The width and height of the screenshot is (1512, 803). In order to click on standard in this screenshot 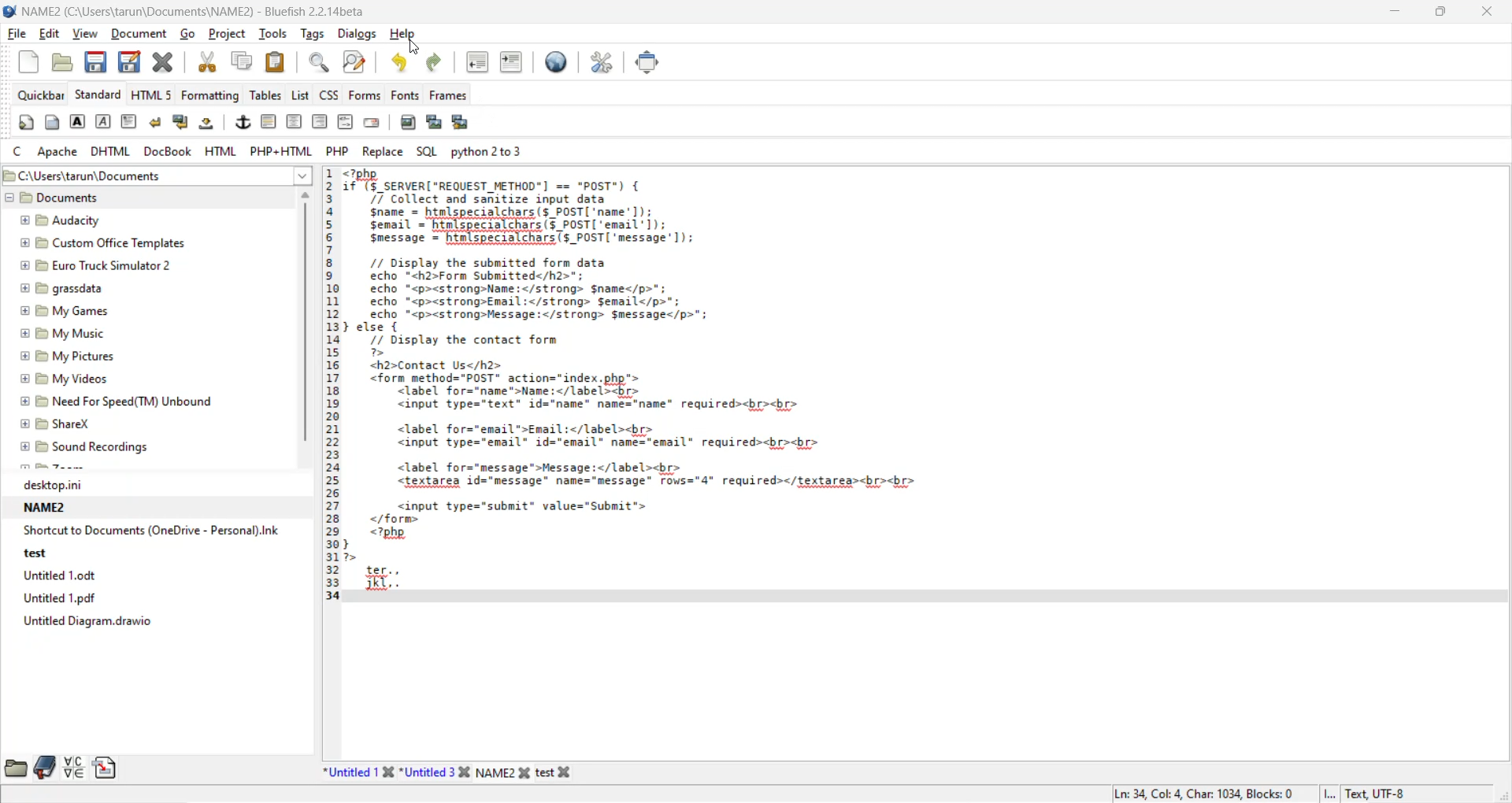, I will do `click(99, 94)`.